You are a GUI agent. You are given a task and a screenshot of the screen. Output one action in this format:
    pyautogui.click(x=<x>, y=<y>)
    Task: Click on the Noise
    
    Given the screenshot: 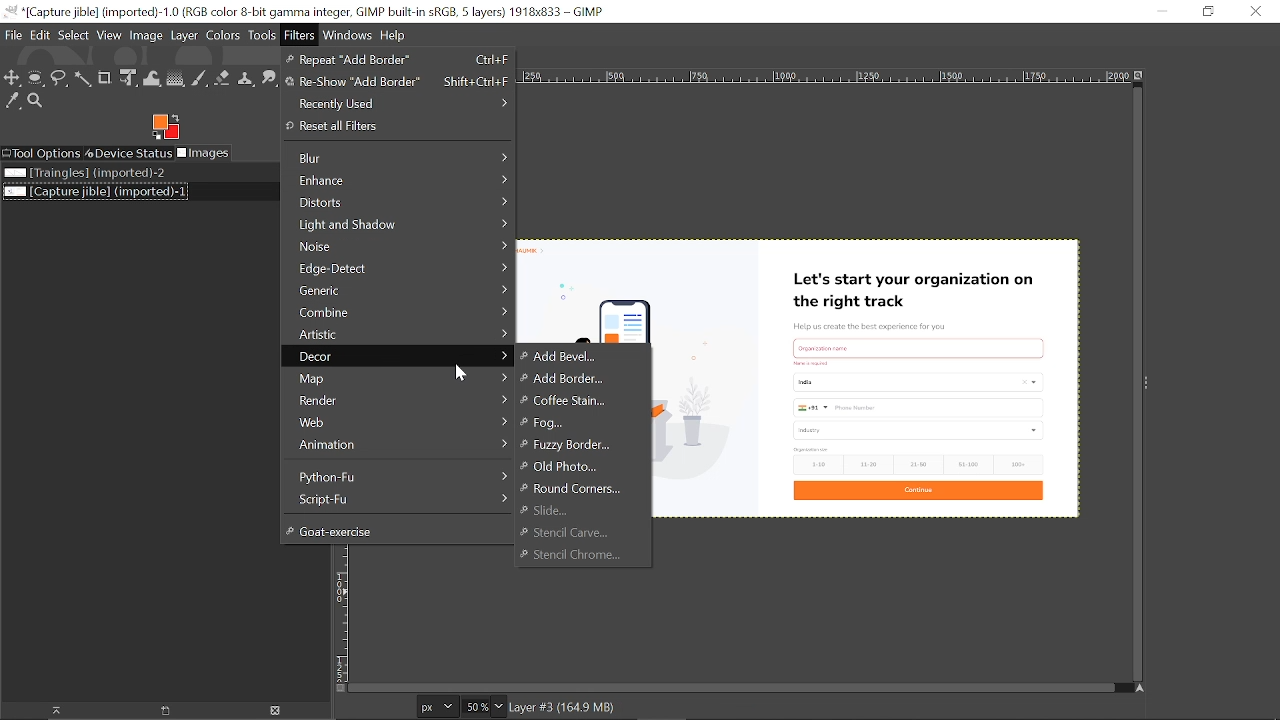 What is the action you would take?
    pyautogui.click(x=398, y=245)
    